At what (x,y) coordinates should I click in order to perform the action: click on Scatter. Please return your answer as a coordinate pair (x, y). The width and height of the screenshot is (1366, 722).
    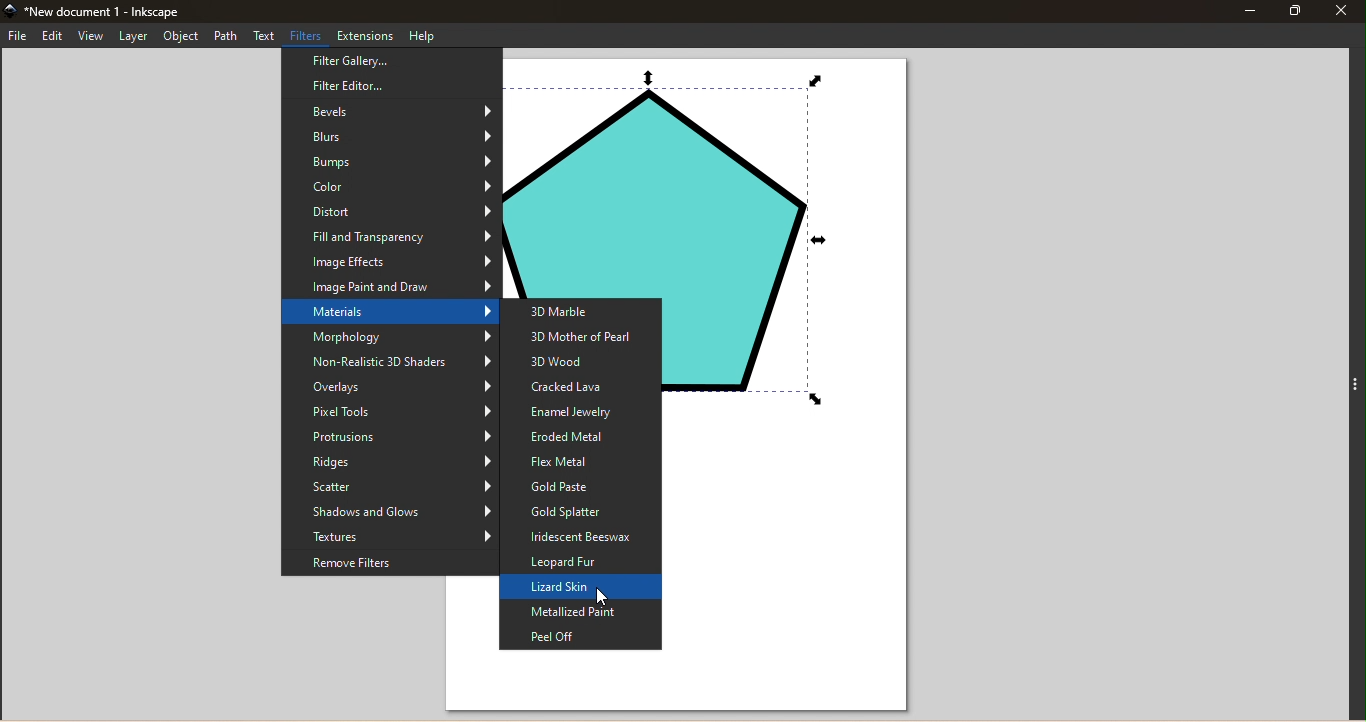
    Looking at the image, I should click on (390, 487).